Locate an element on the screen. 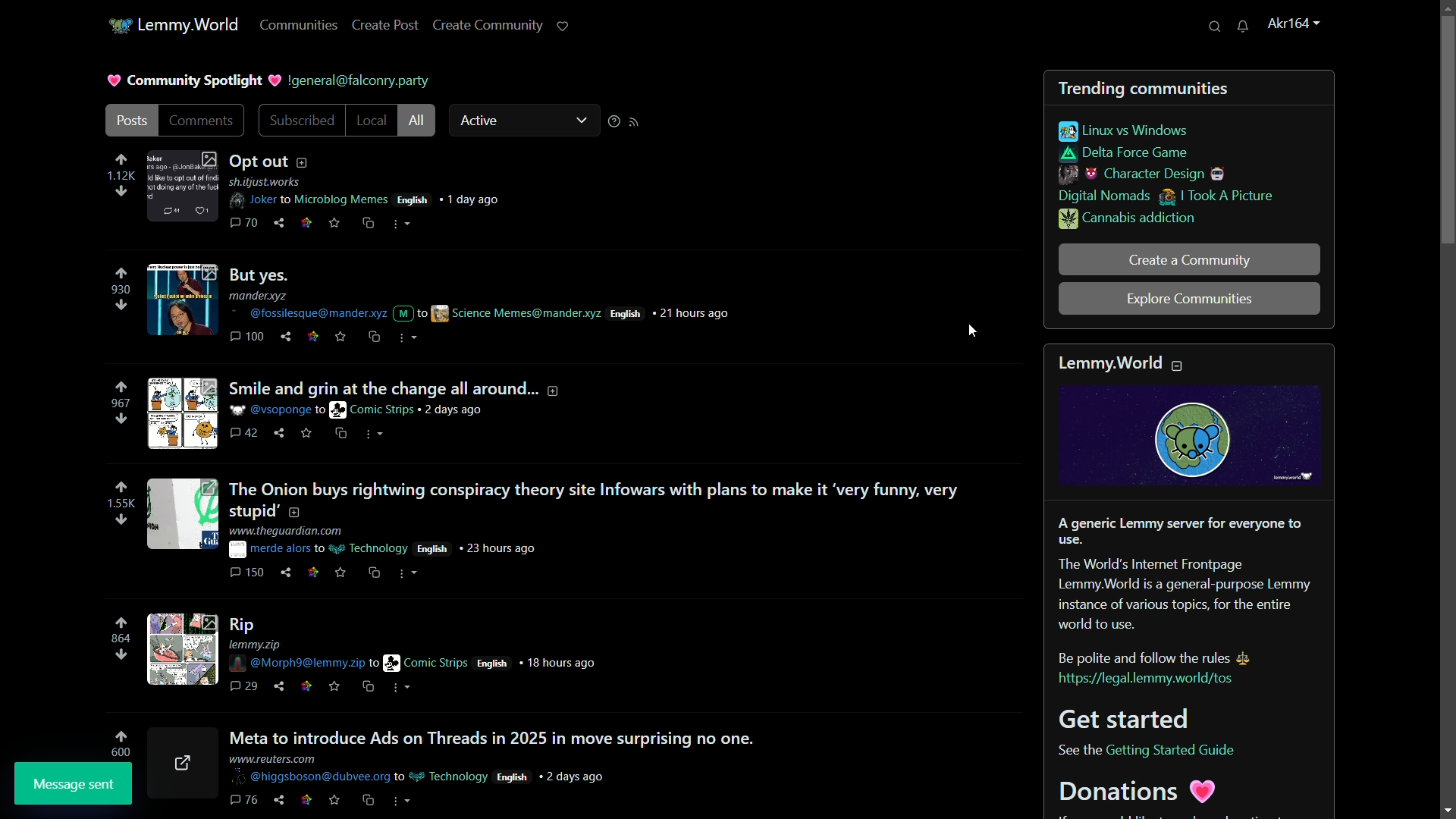 This screenshot has height=819, width=1456. number of votes is located at coordinates (124, 175).